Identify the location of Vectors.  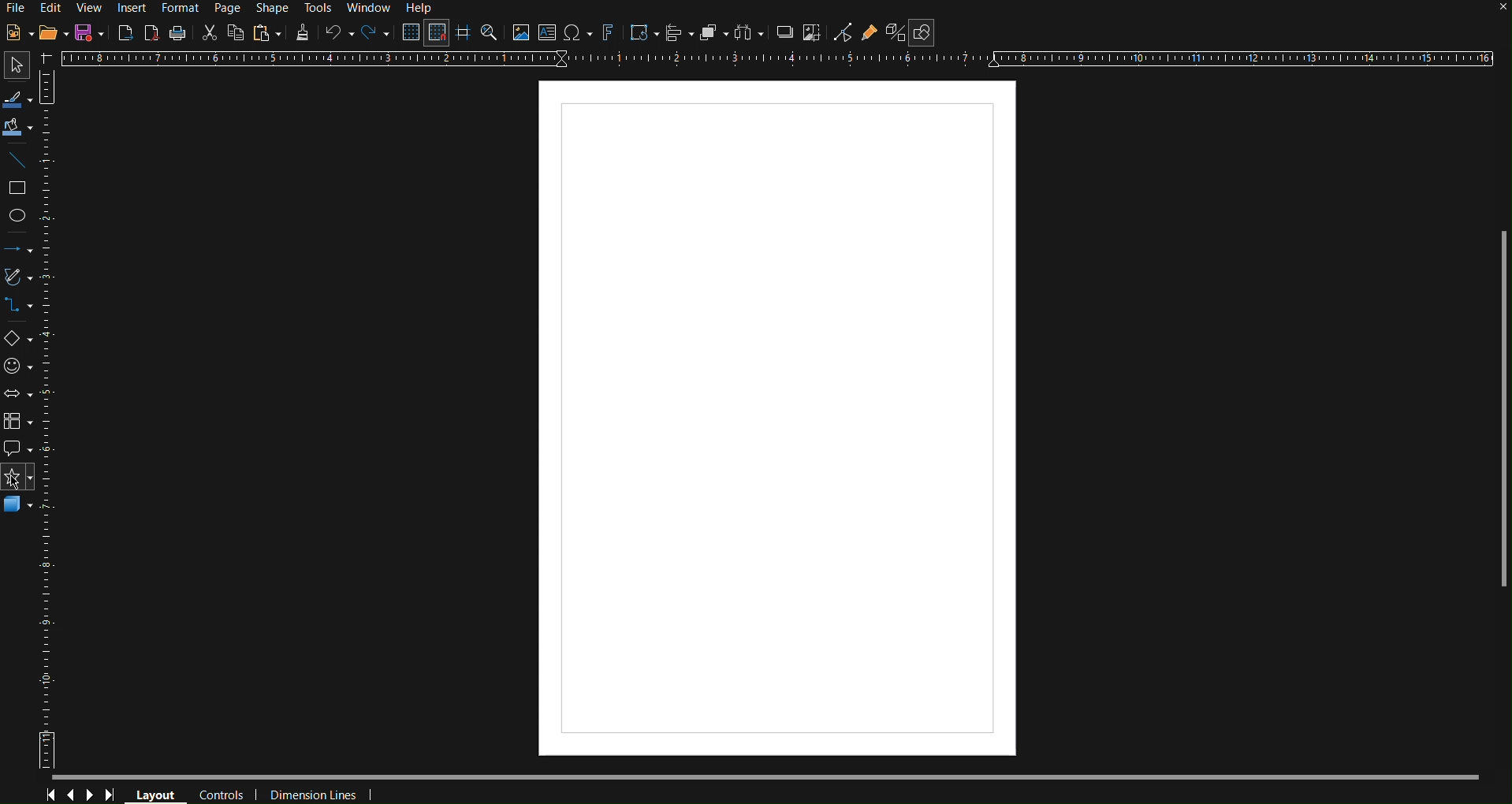
(20, 280).